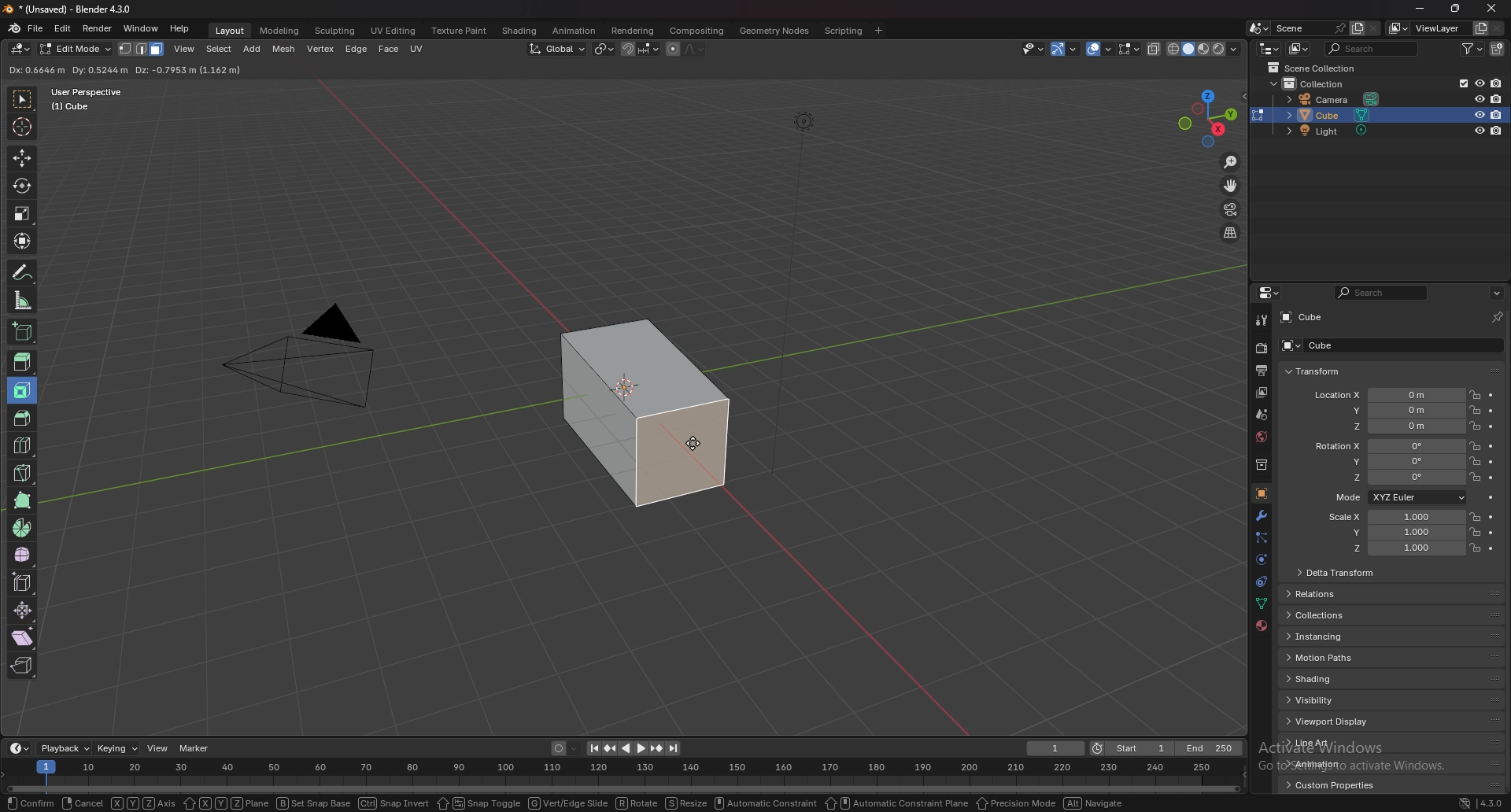  What do you see at coordinates (1475, 478) in the screenshot?
I see `lock` at bounding box center [1475, 478].